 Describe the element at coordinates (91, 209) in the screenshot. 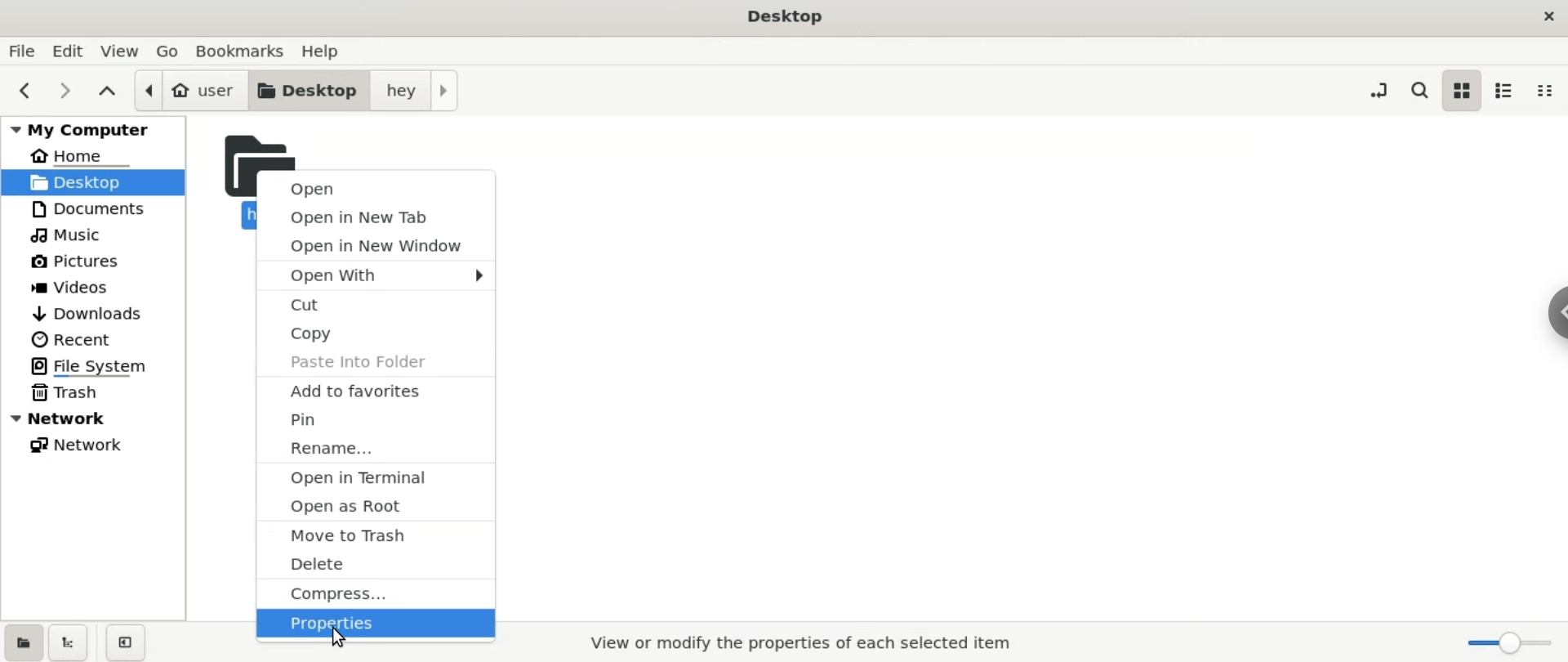

I see `documents` at that location.